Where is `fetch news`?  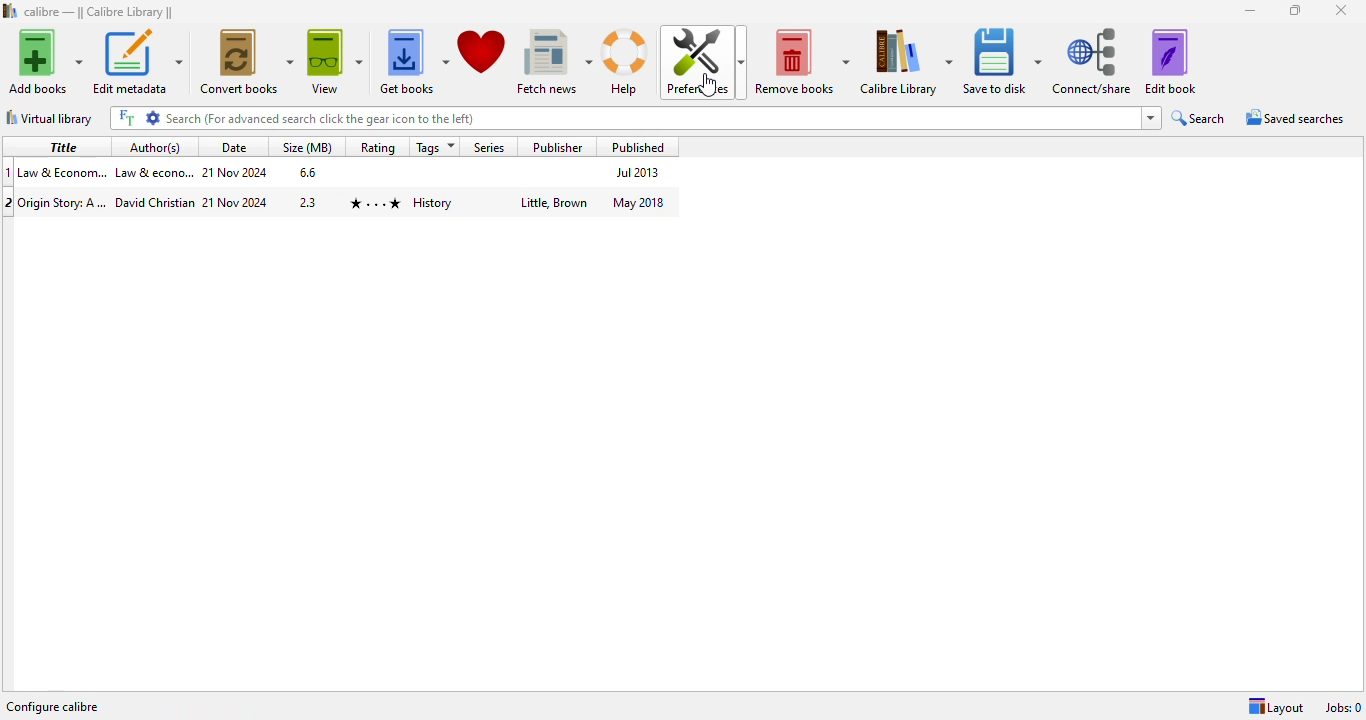 fetch news is located at coordinates (553, 62).